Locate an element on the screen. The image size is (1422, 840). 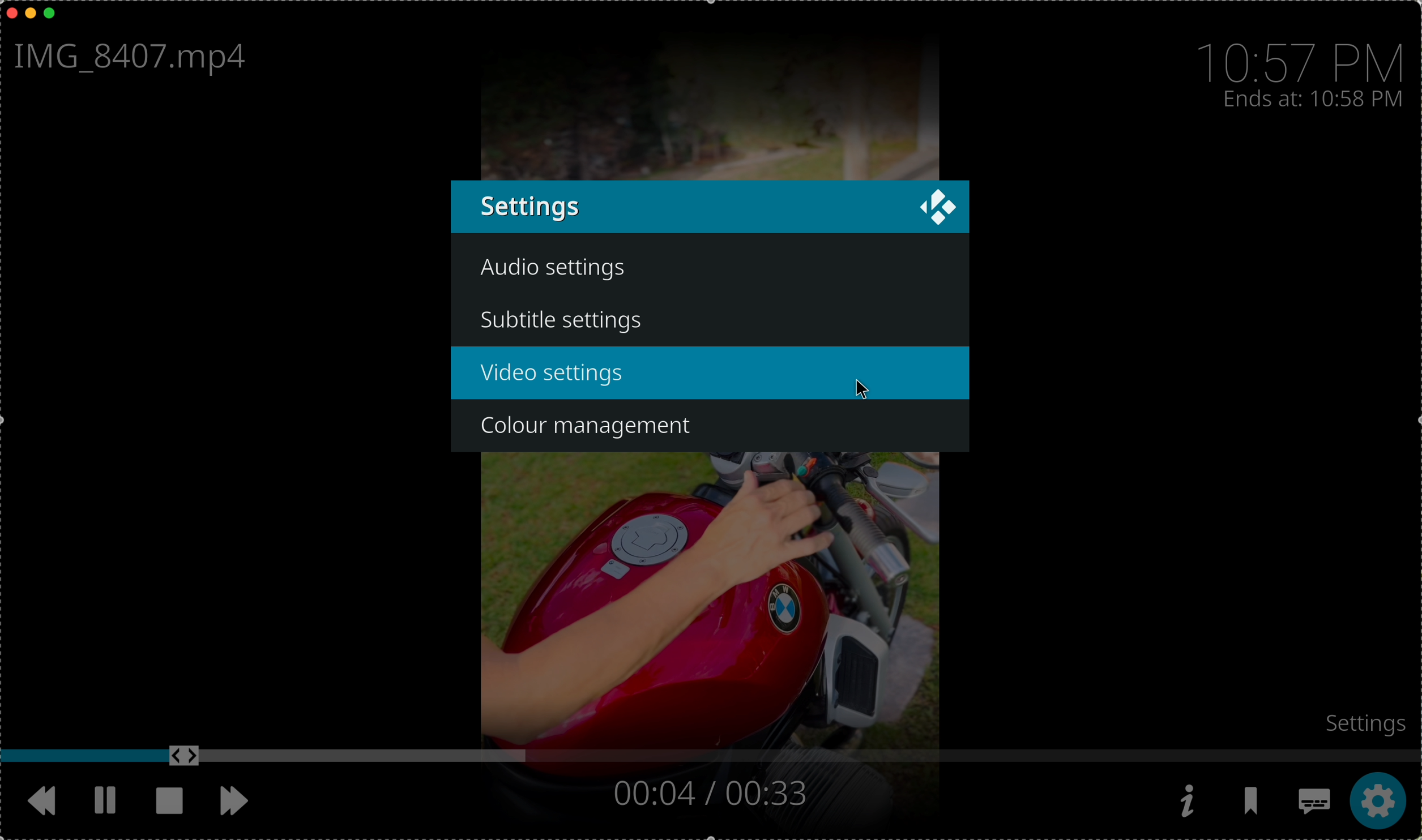
minimize  is located at coordinates (31, 16).